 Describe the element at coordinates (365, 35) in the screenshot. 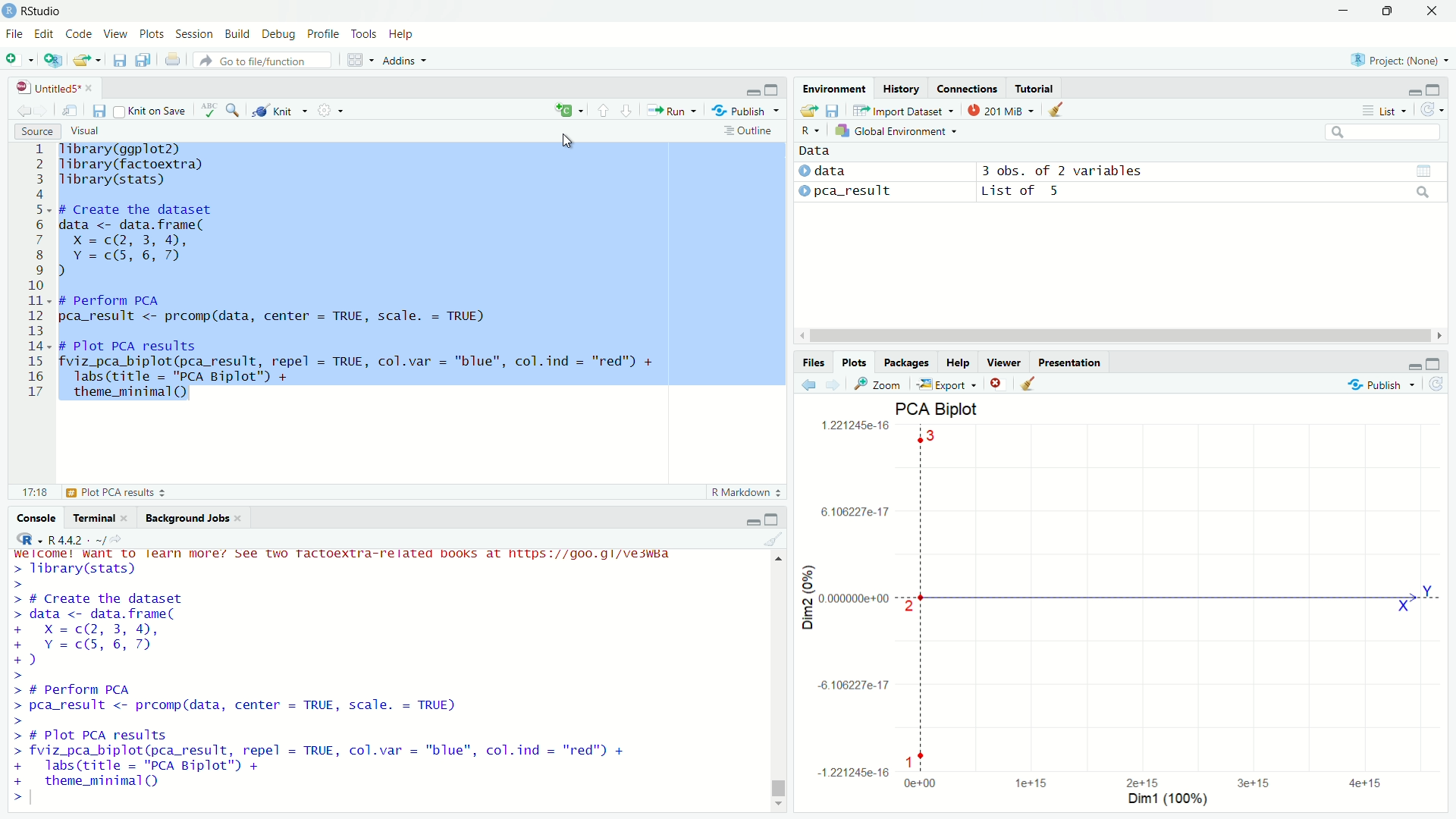

I see `Tools` at that location.